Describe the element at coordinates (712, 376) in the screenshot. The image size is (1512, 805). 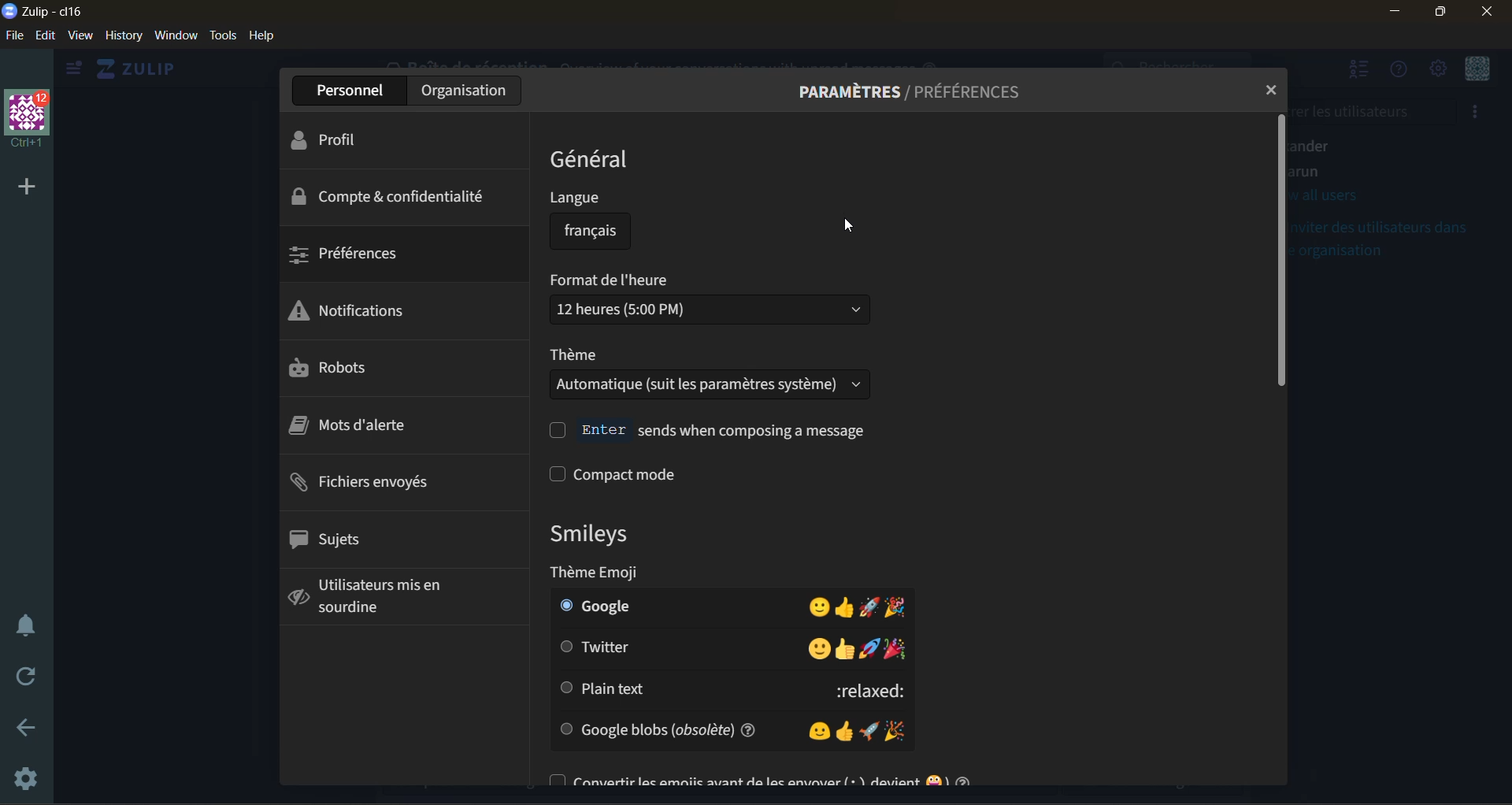
I see `theme` at that location.